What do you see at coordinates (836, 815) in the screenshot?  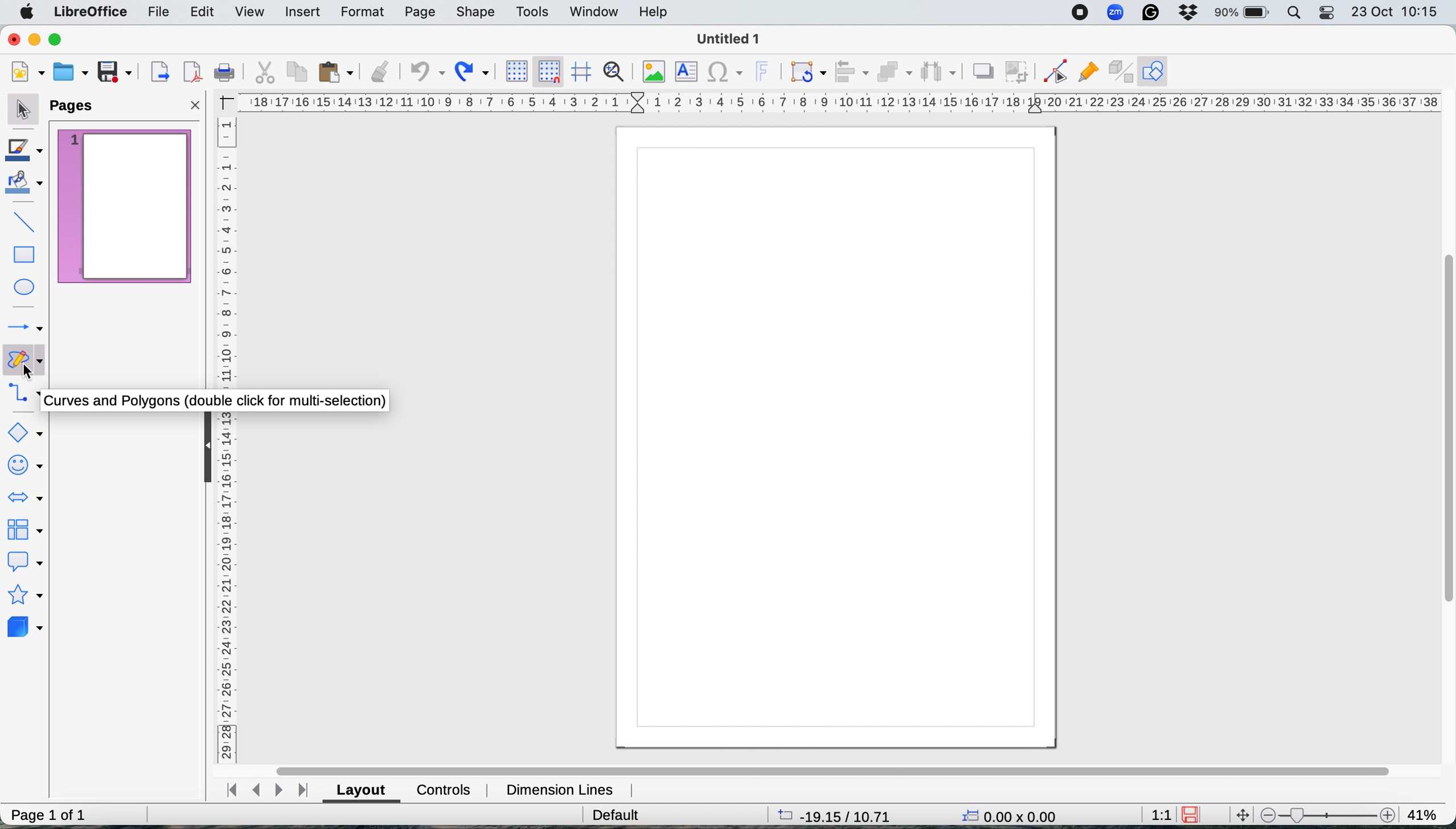 I see `page dimensions` at bounding box center [836, 815].